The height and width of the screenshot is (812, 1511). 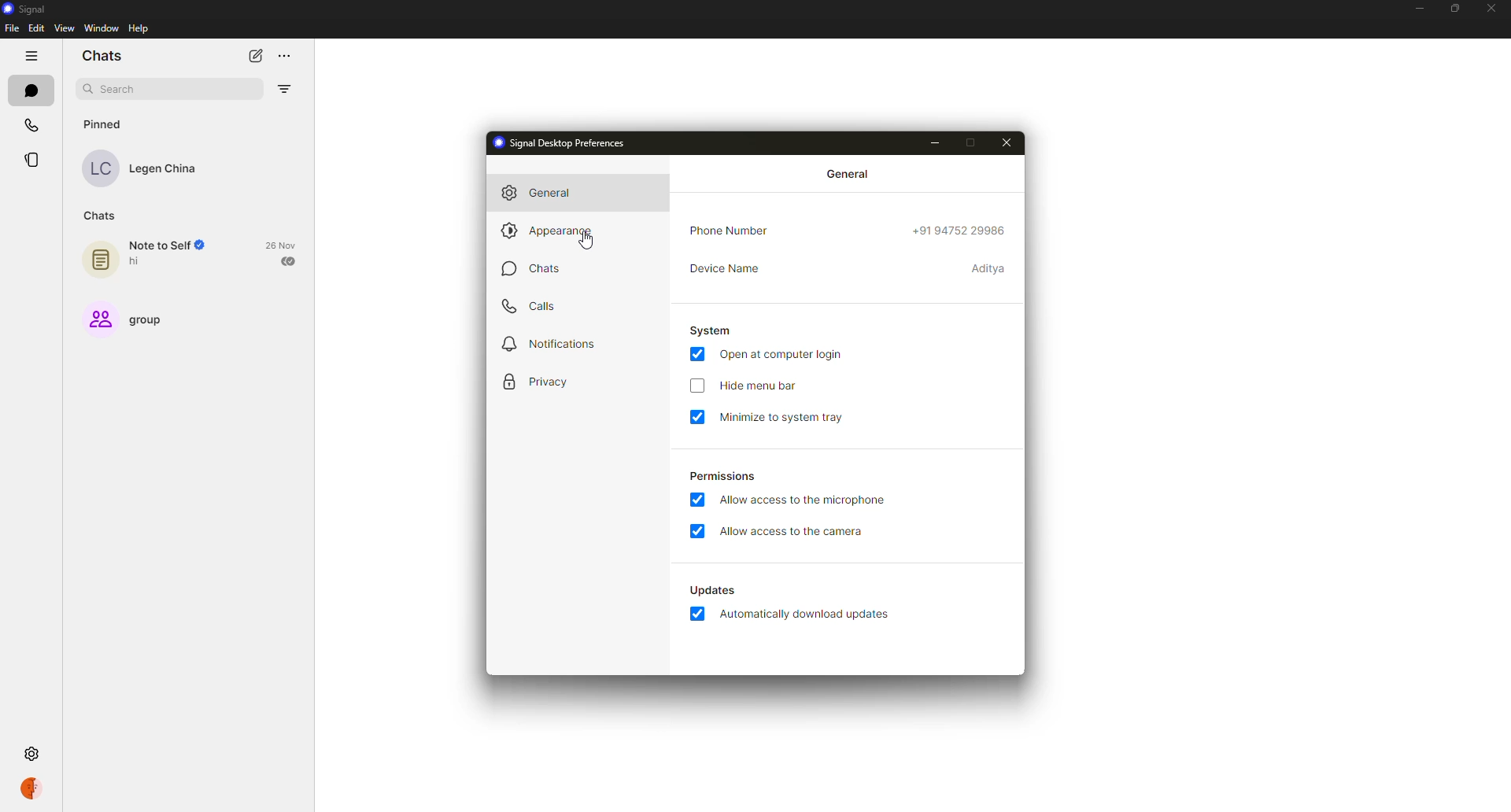 I want to click on enabled, so click(x=696, y=418).